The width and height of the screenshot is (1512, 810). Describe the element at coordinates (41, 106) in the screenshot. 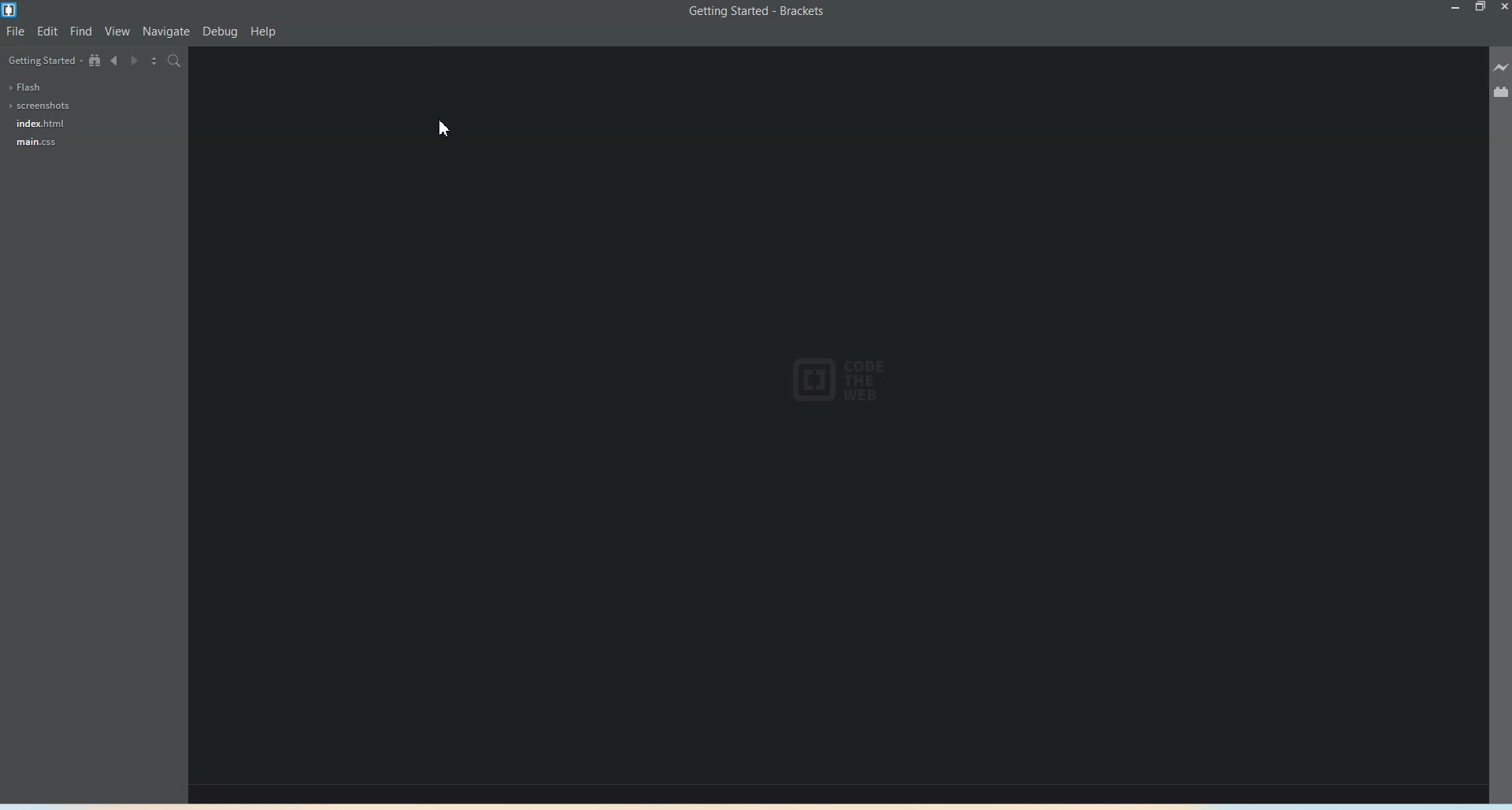

I see `Screenshots` at that location.